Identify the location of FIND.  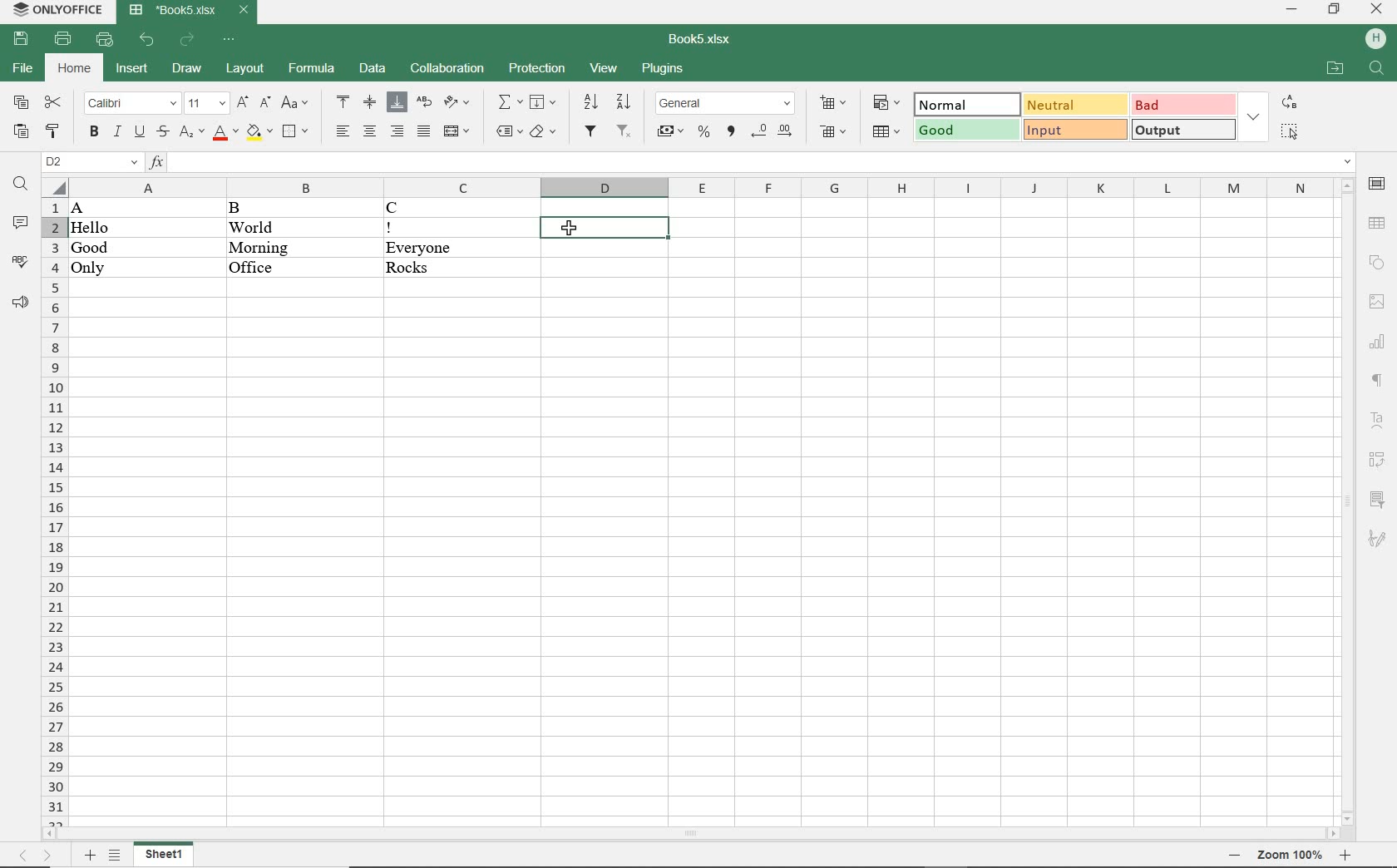
(1375, 68).